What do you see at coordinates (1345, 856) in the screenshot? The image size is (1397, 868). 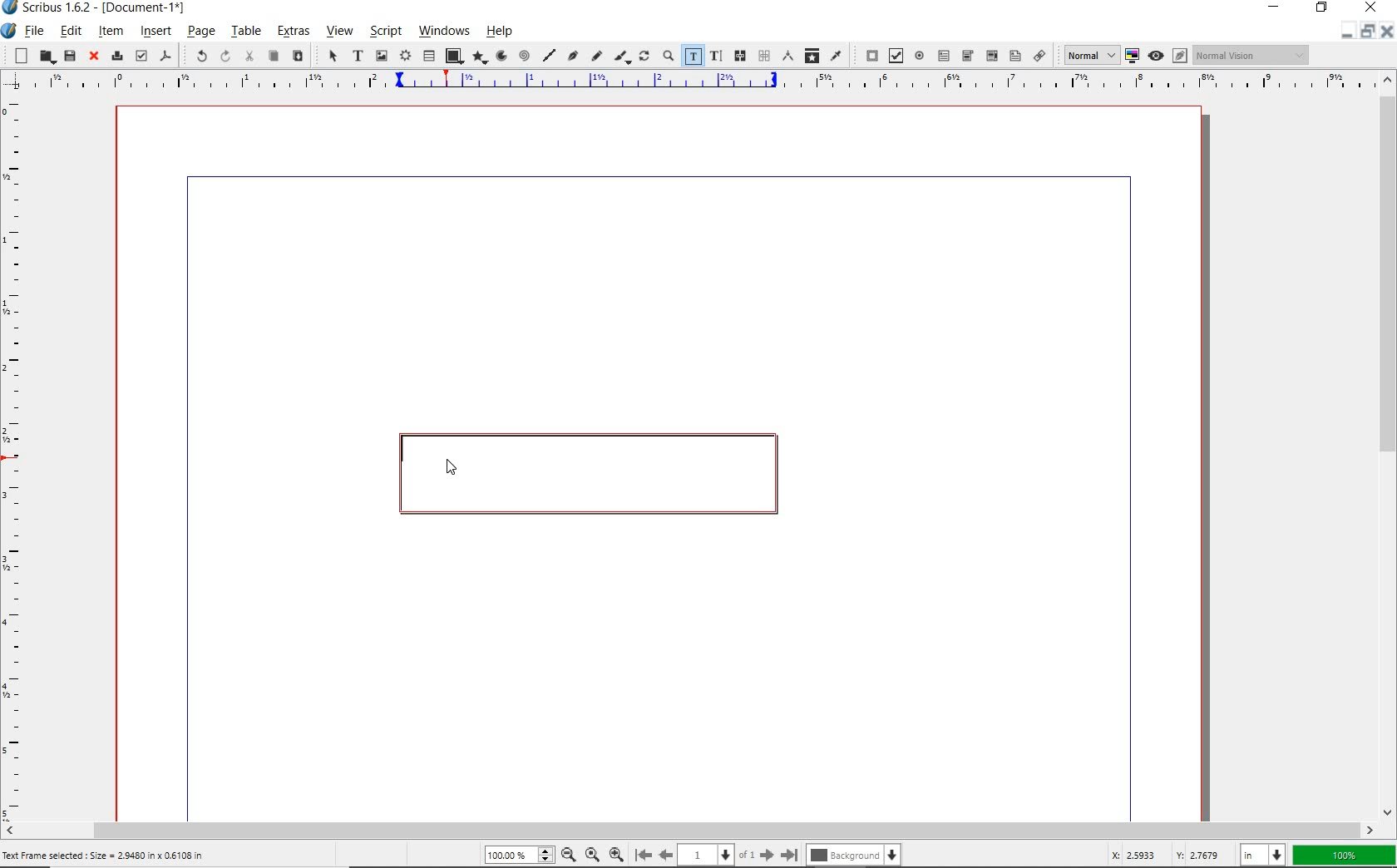 I see `100%` at bounding box center [1345, 856].